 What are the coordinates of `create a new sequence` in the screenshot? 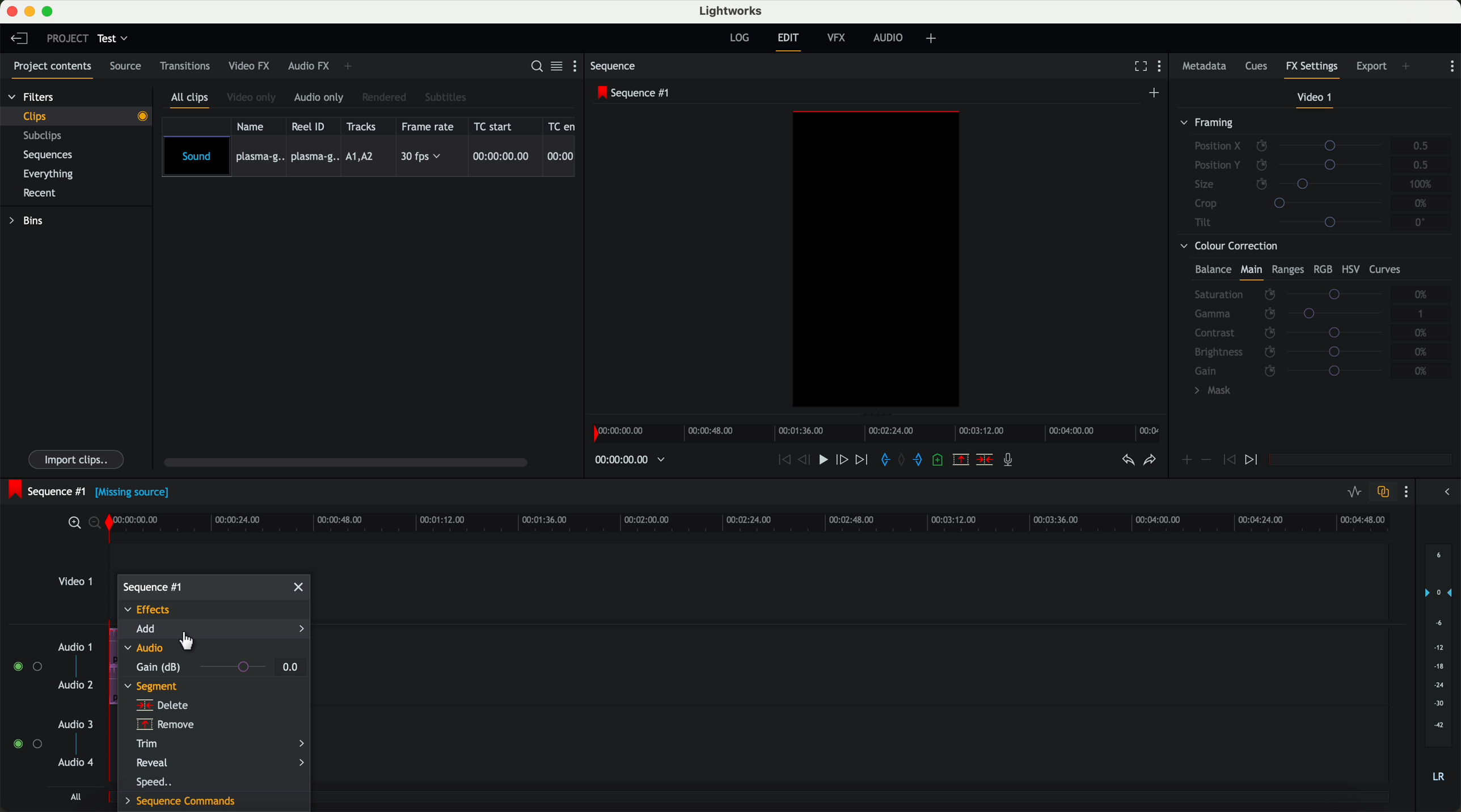 It's located at (1155, 92).